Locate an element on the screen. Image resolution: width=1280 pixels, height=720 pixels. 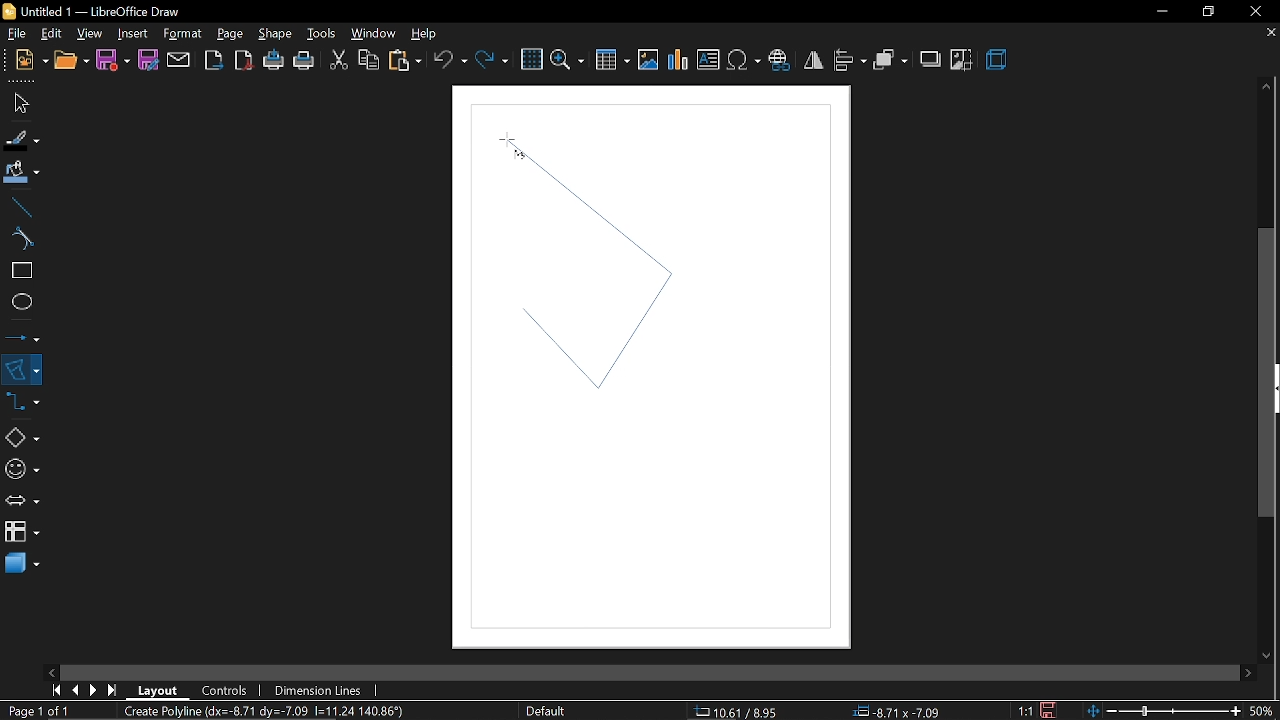
insert symbol is located at coordinates (743, 60).